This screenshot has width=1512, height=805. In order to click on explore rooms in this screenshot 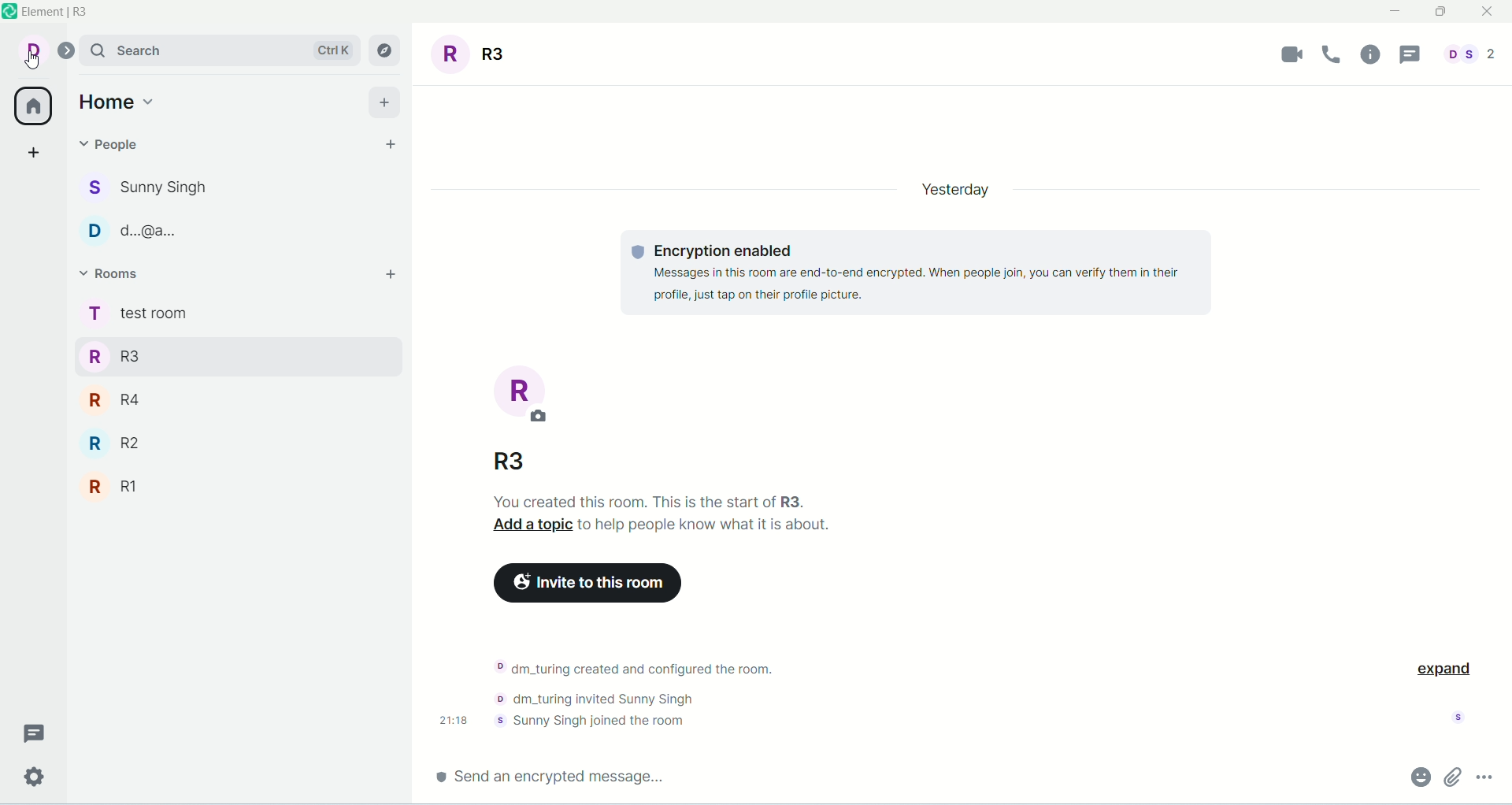, I will do `click(387, 50)`.